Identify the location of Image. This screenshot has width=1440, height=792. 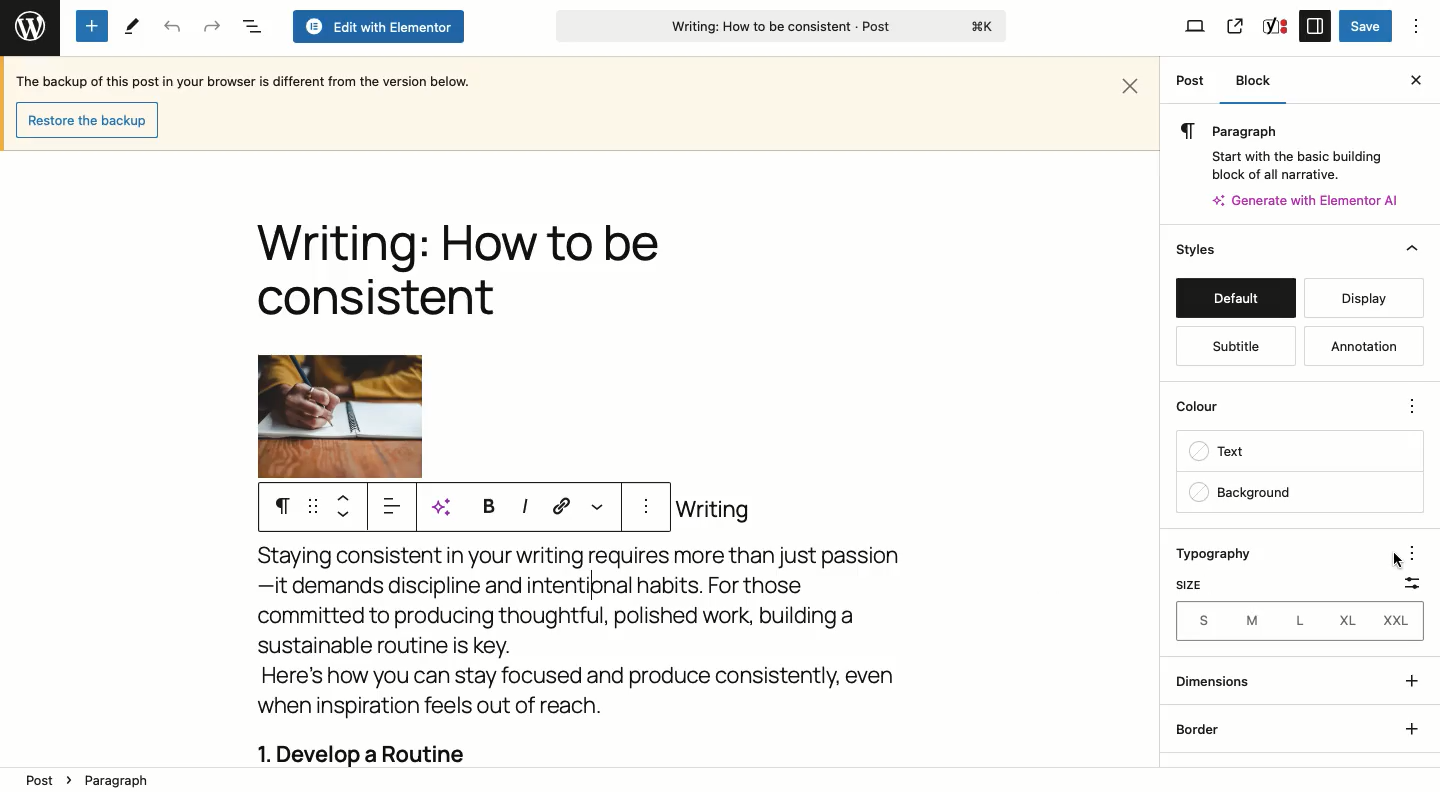
(340, 416).